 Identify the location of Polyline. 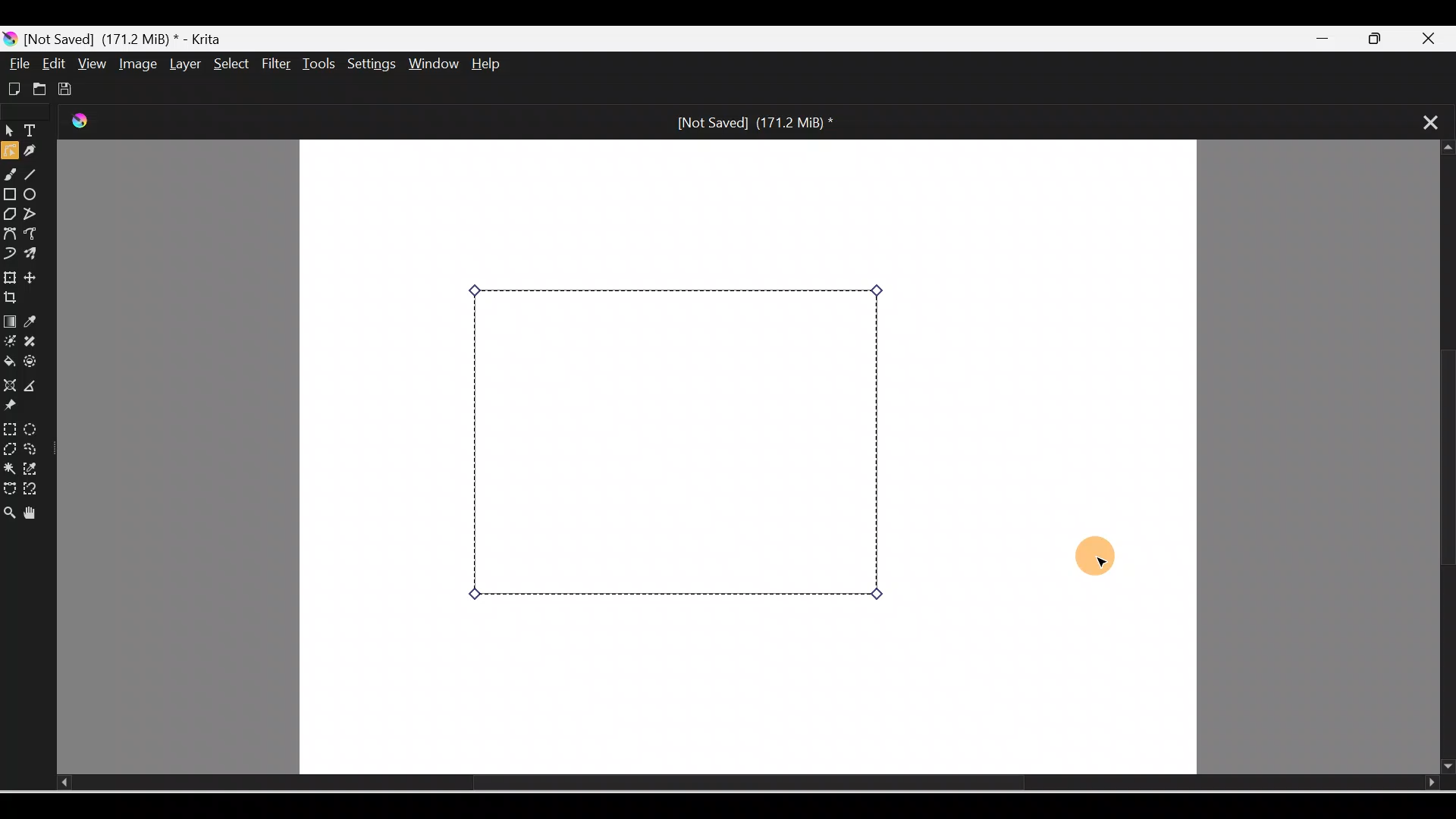
(33, 213).